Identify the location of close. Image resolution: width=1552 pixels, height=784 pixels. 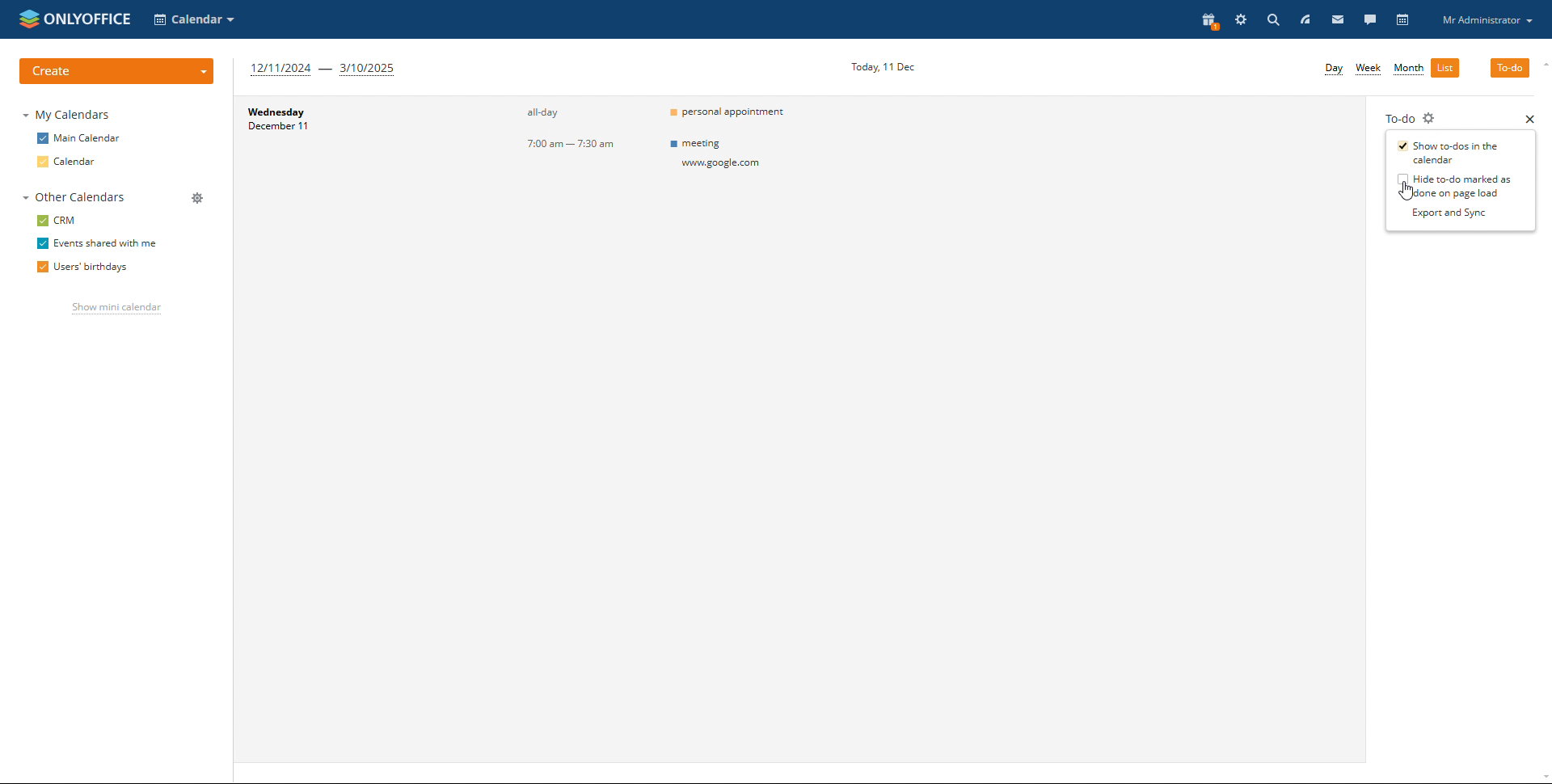
(1529, 119).